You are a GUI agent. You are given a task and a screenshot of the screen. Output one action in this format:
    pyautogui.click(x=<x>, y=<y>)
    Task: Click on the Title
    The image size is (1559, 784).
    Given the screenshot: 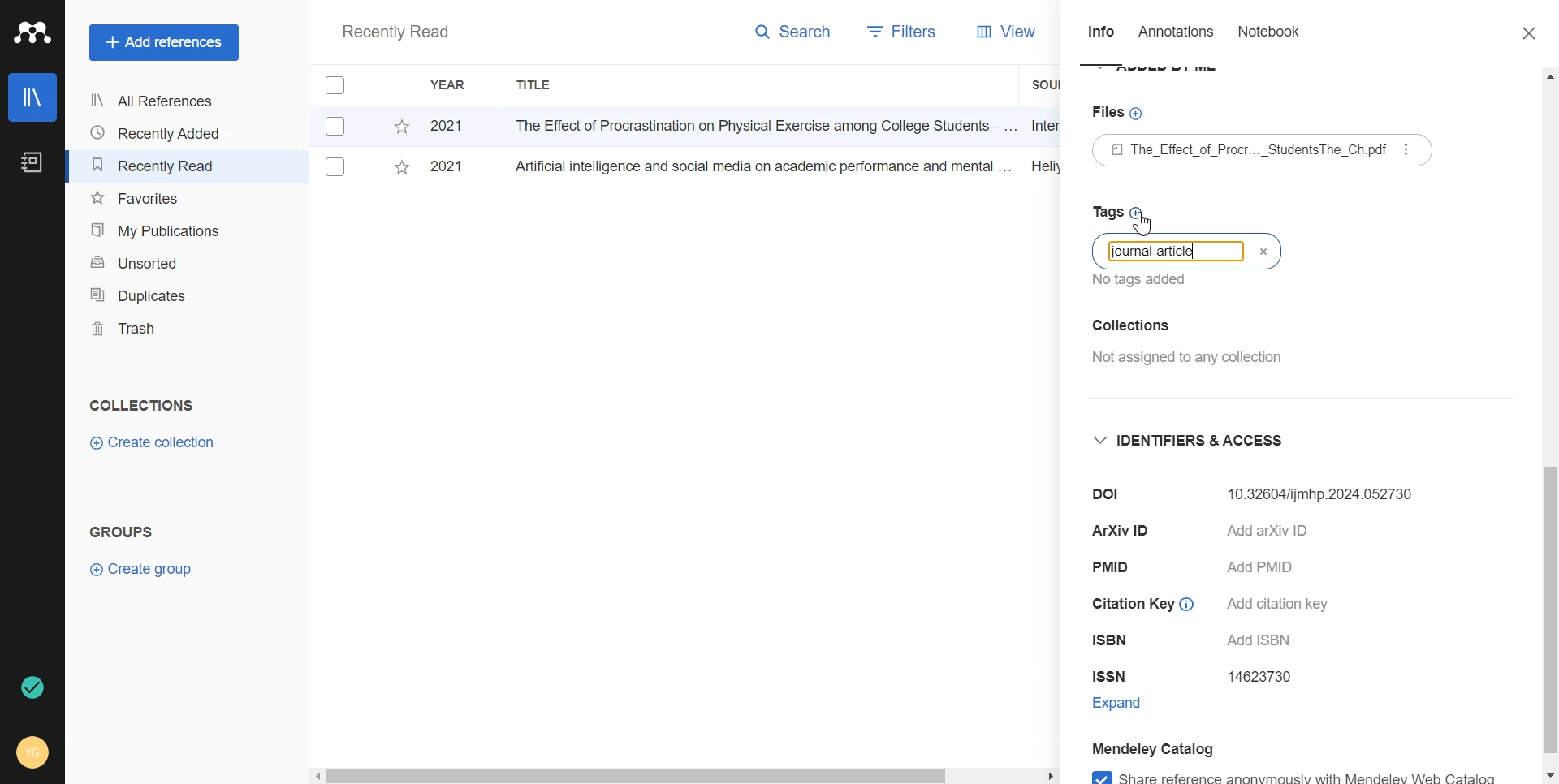 What is the action you would take?
    pyautogui.click(x=535, y=85)
    